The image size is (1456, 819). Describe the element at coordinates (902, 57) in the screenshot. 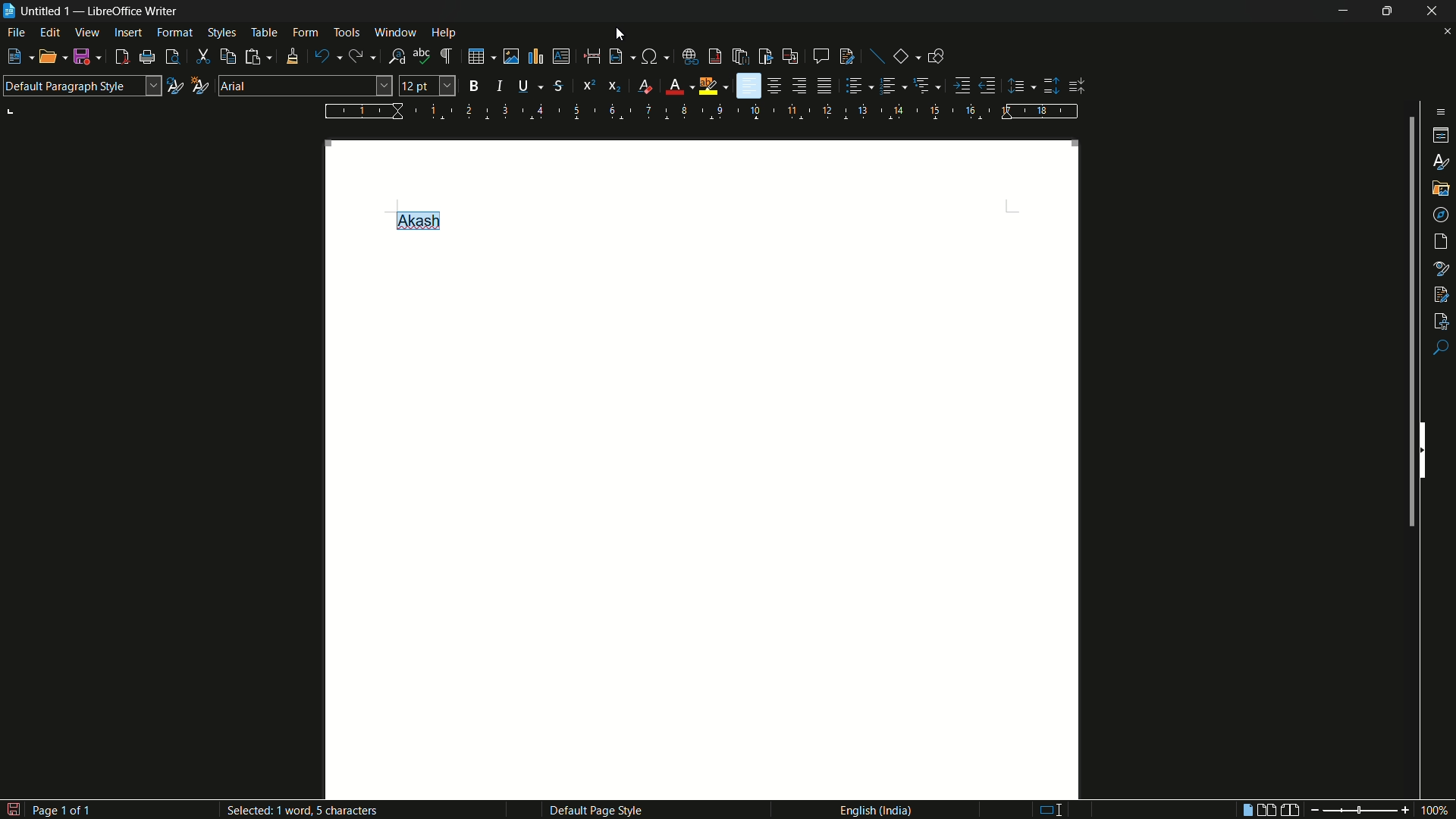

I see `basic shapes` at that location.